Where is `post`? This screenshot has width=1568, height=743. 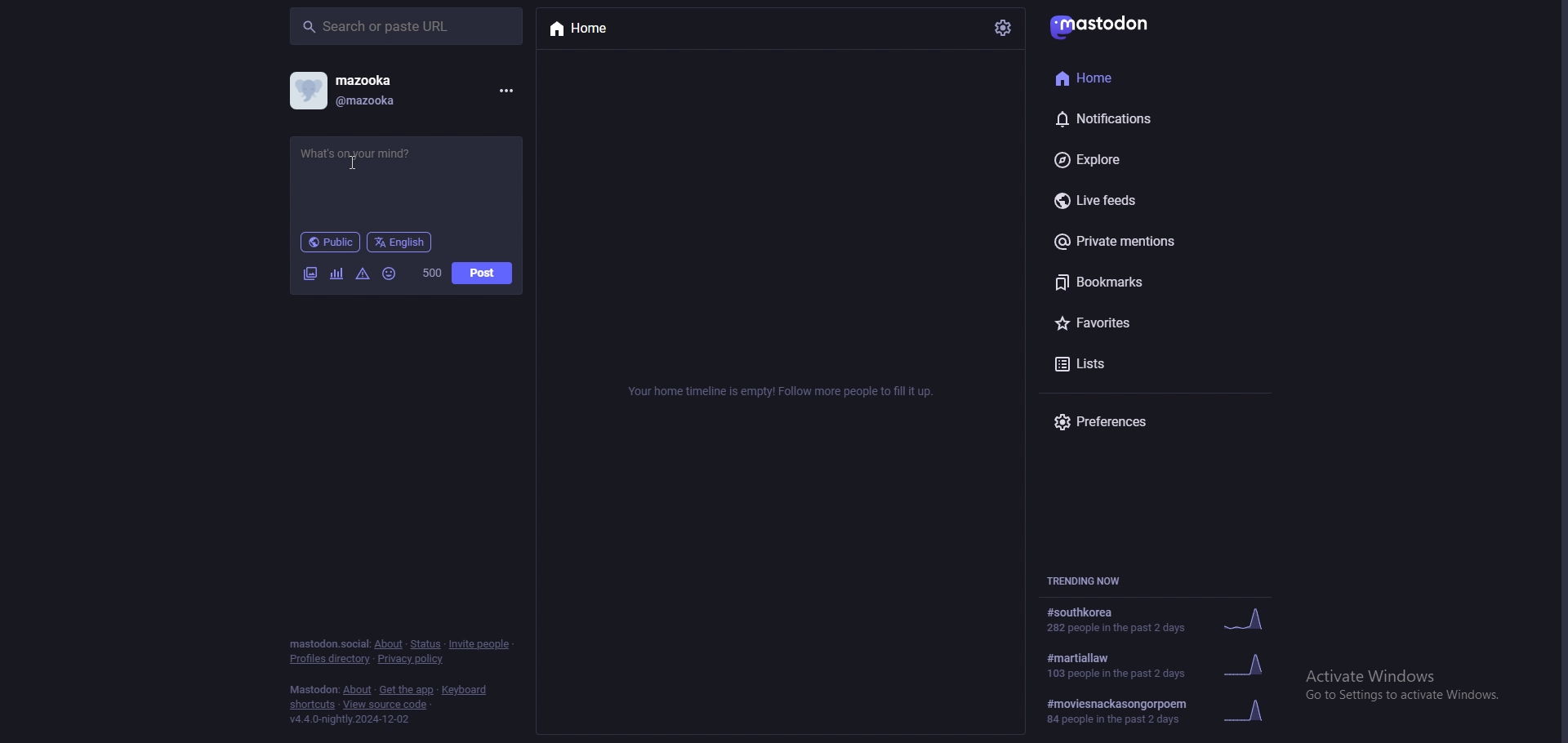
post is located at coordinates (483, 274).